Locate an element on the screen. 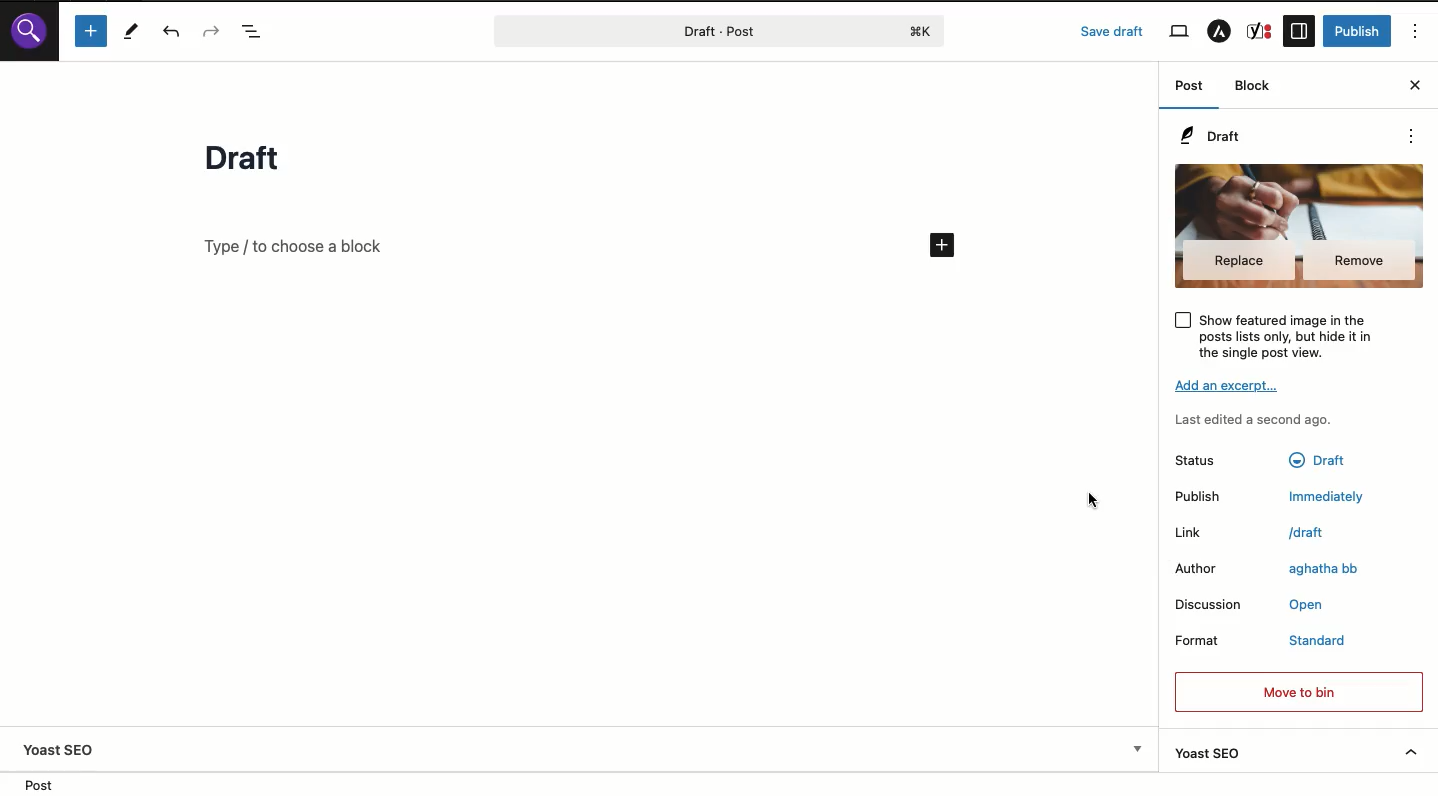 This screenshot has height=796, width=1438. Status is located at coordinates (1196, 460).